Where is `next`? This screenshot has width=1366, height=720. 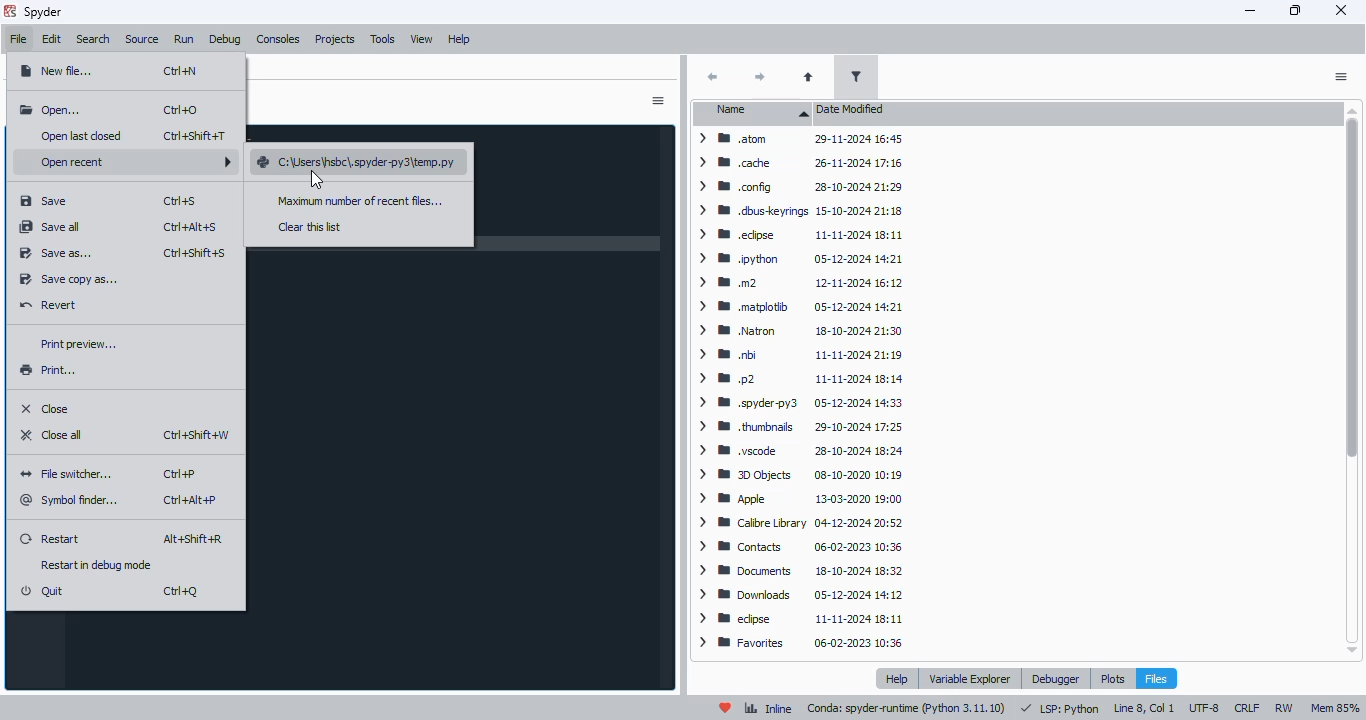
next is located at coordinates (759, 77).